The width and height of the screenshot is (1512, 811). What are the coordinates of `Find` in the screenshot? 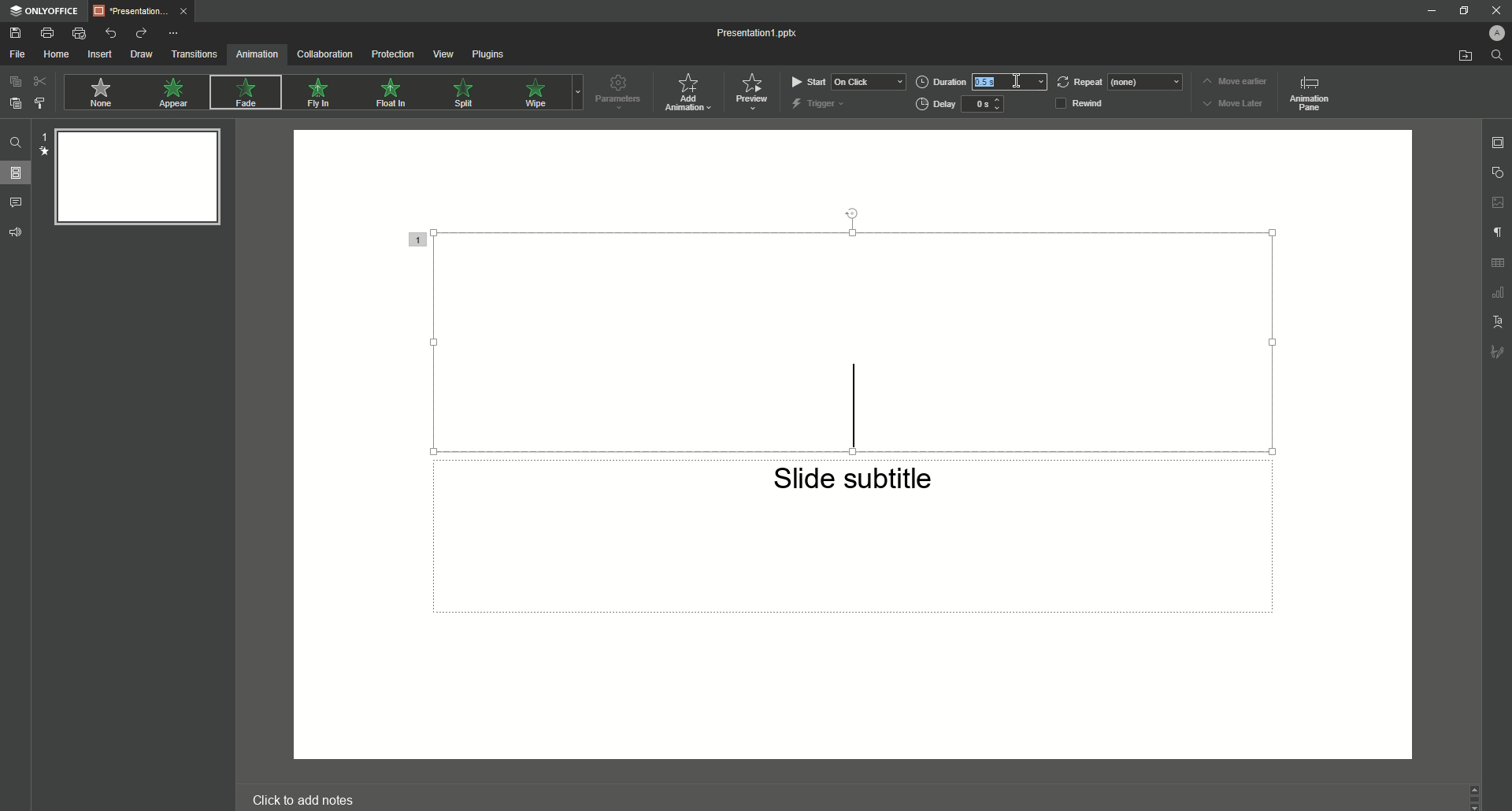 It's located at (18, 145).